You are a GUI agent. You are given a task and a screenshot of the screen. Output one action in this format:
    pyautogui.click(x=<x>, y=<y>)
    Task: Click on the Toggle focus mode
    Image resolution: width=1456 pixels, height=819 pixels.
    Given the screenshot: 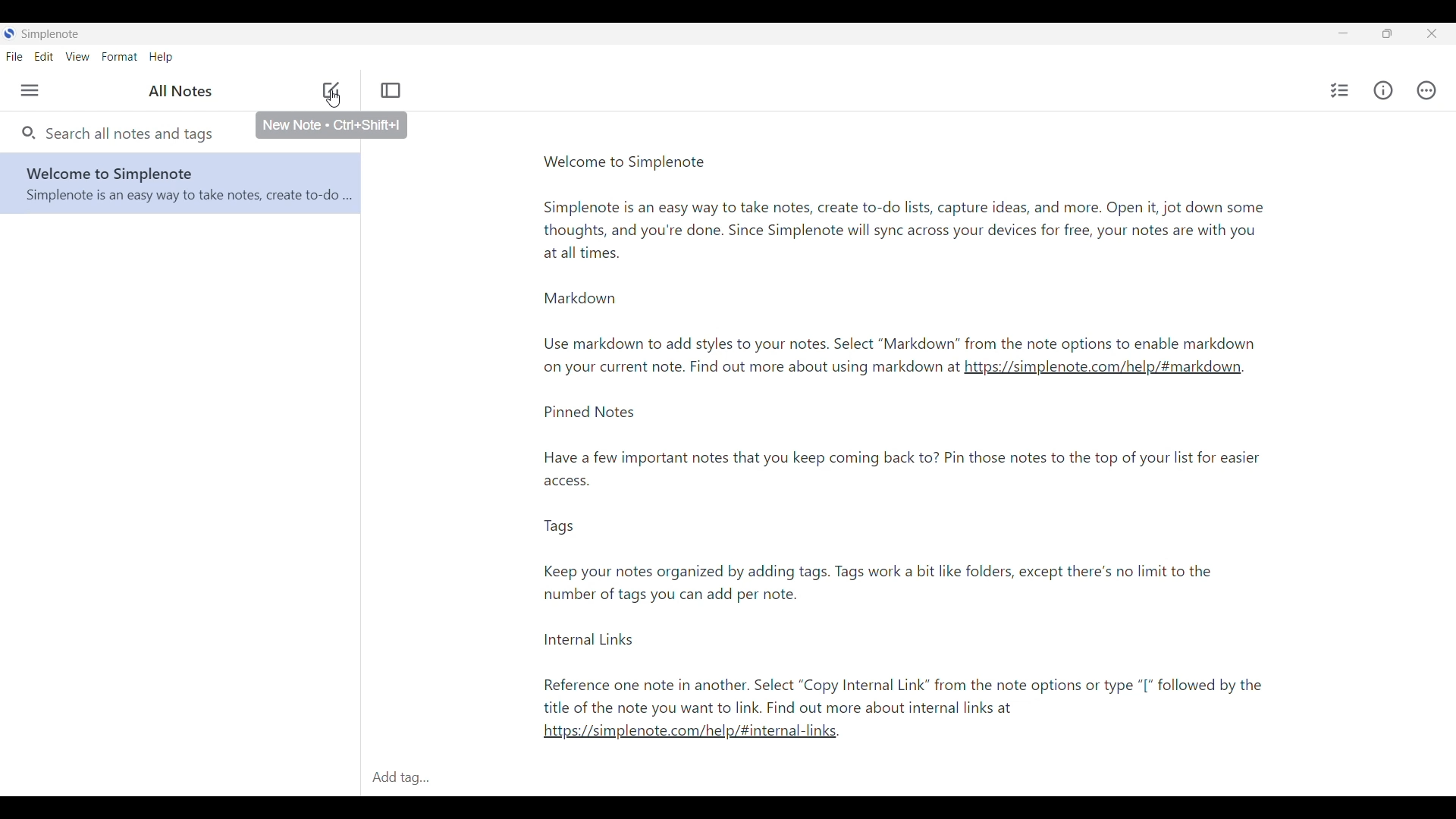 What is the action you would take?
    pyautogui.click(x=391, y=89)
    